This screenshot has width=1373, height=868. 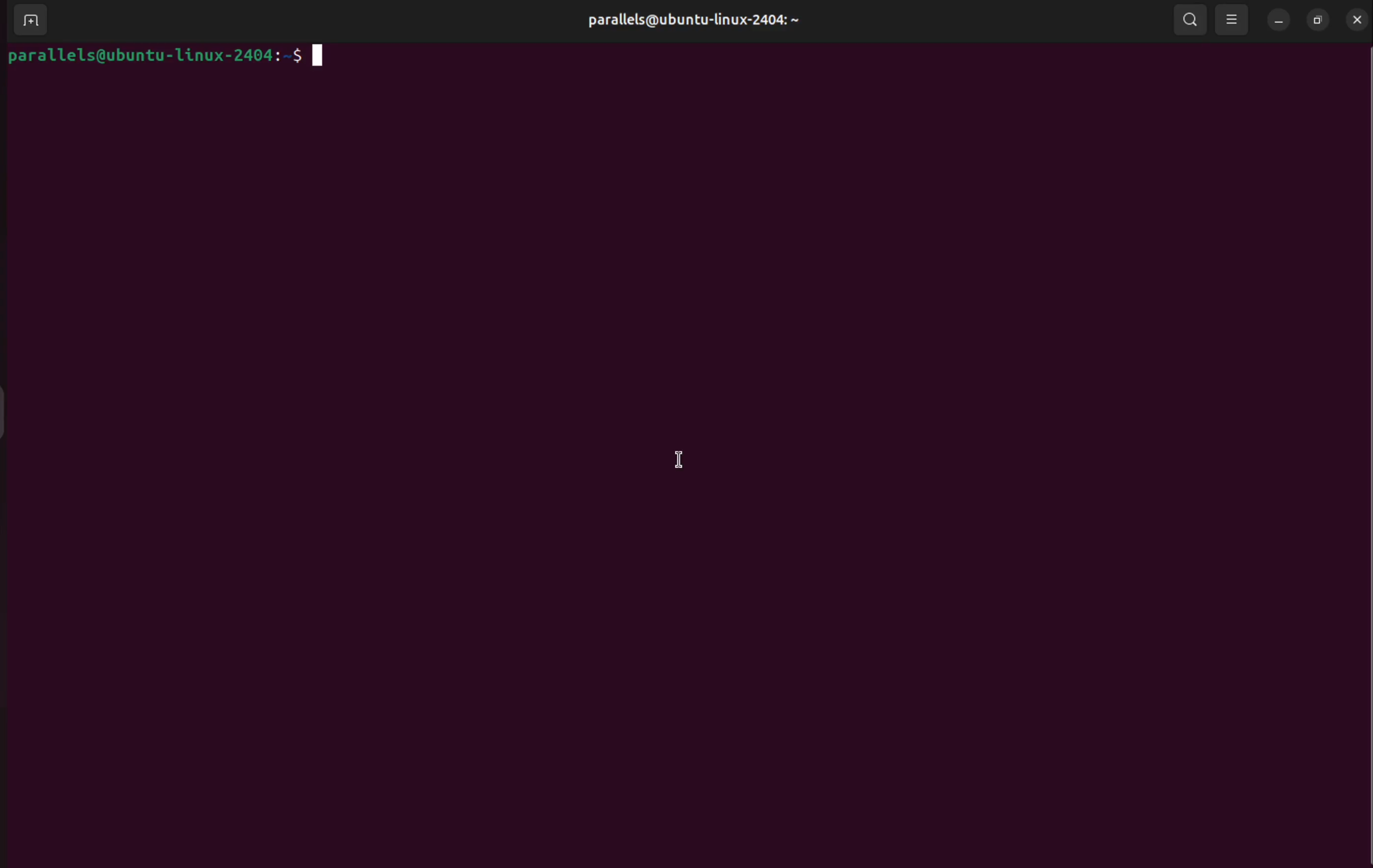 I want to click on search, so click(x=1191, y=21).